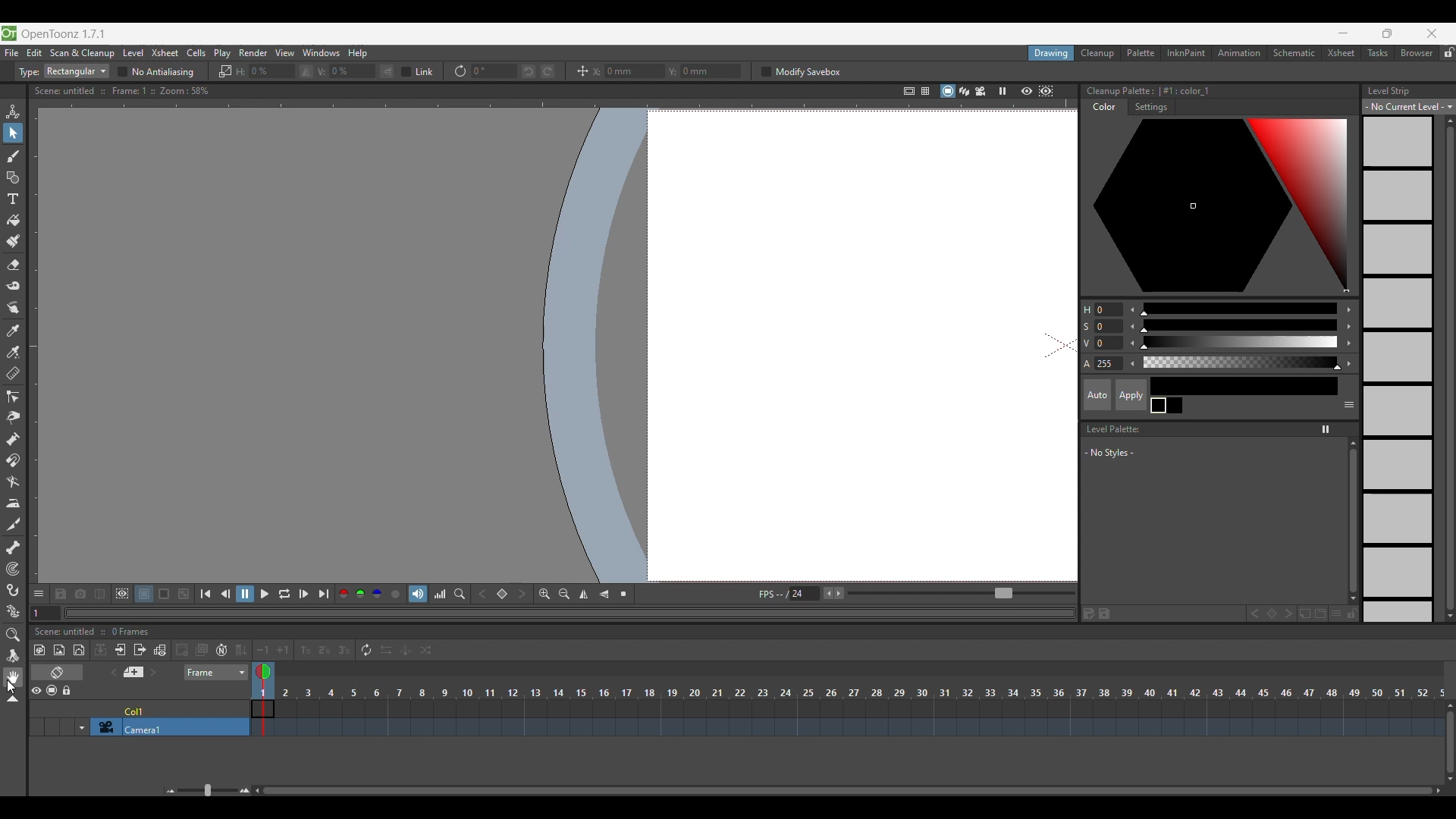  I want to click on Snapshot, so click(80, 594).